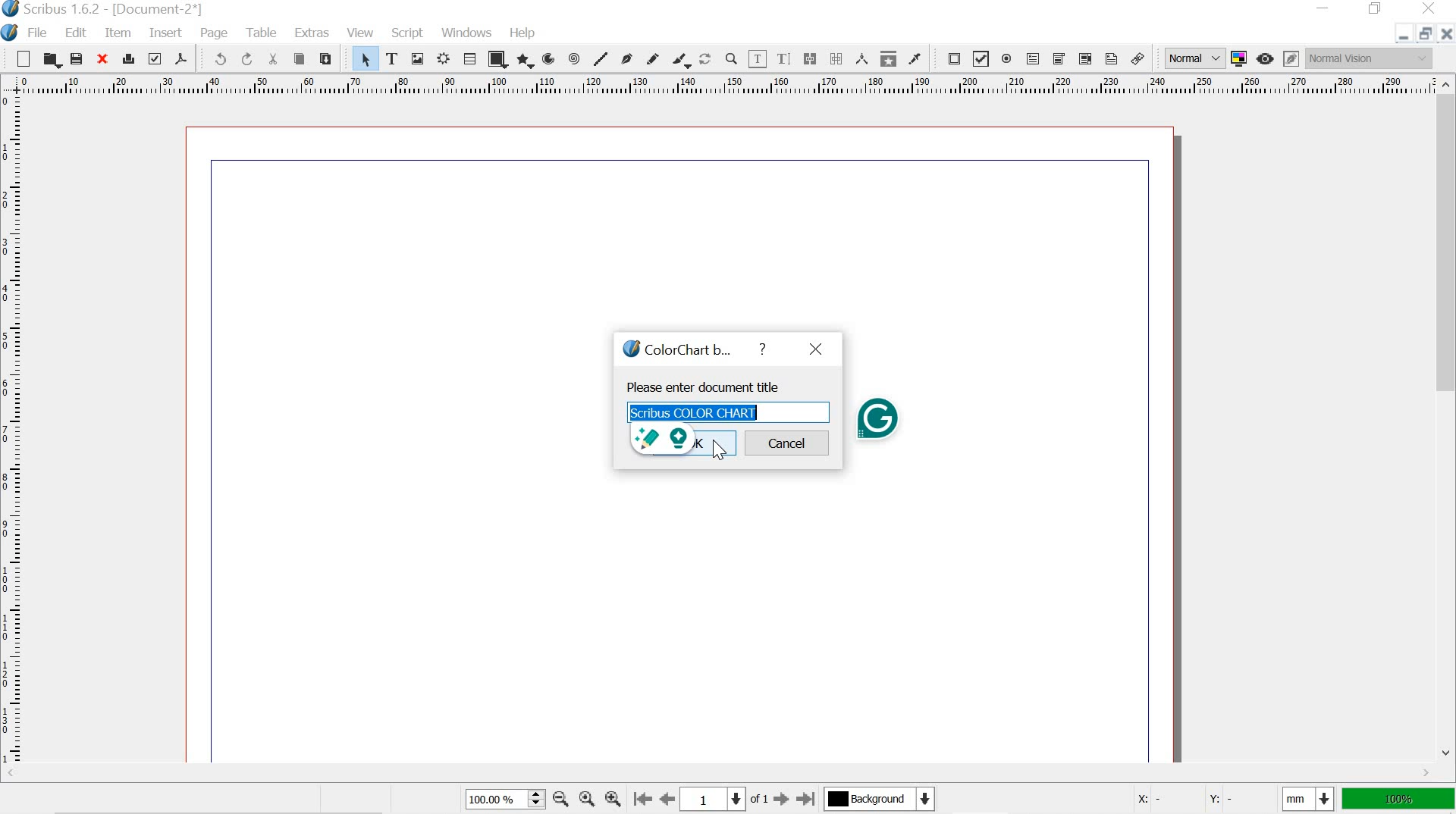  I want to click on open, so click(52, 60).